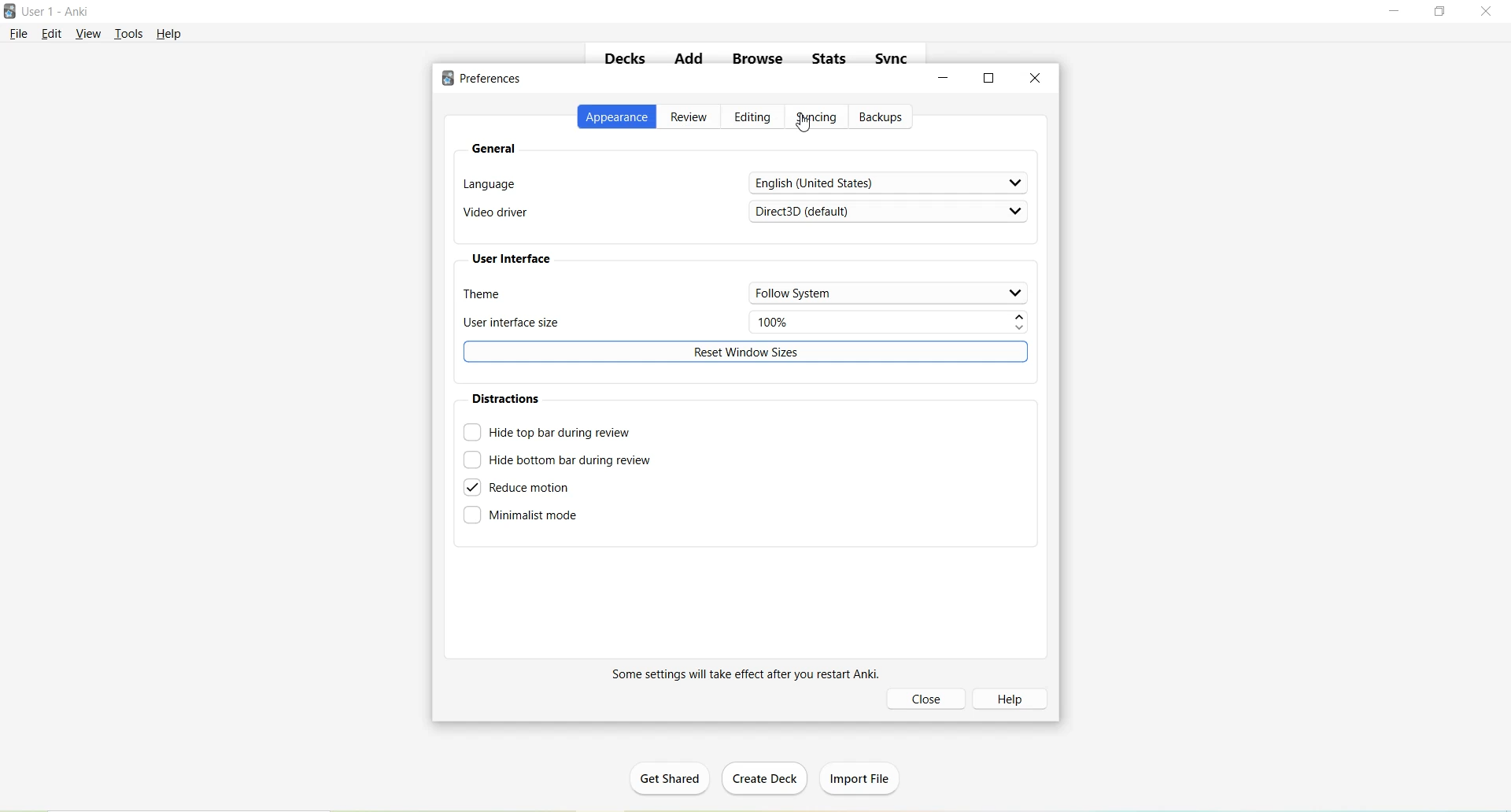 Image resolution: width=1511 pixels, height=812 pixels. I want to click on Syncing, so click(816, 119).